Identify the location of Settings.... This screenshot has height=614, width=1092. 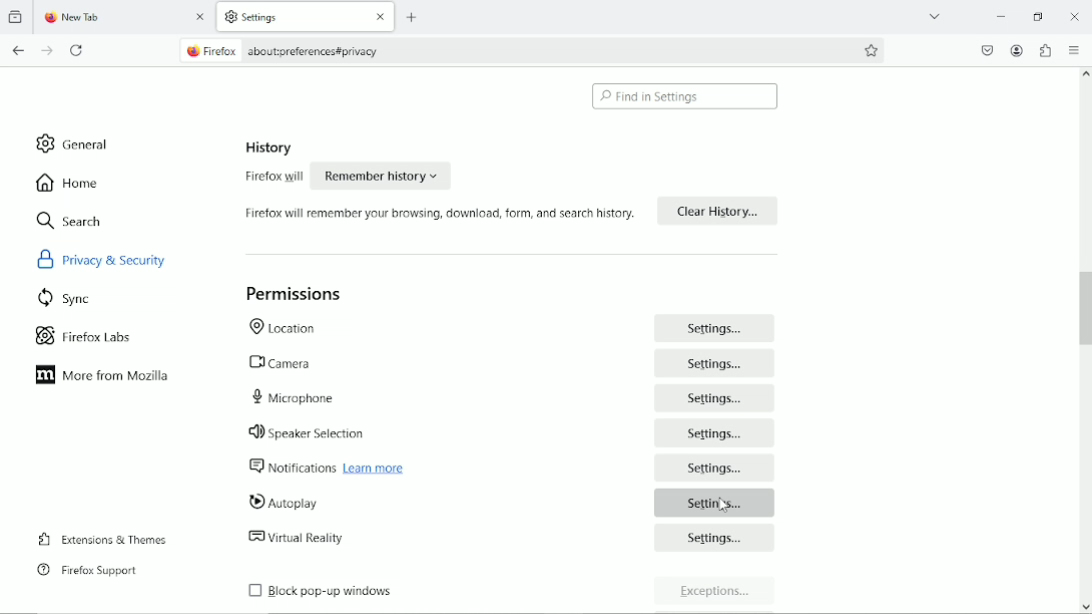
(716, 437).